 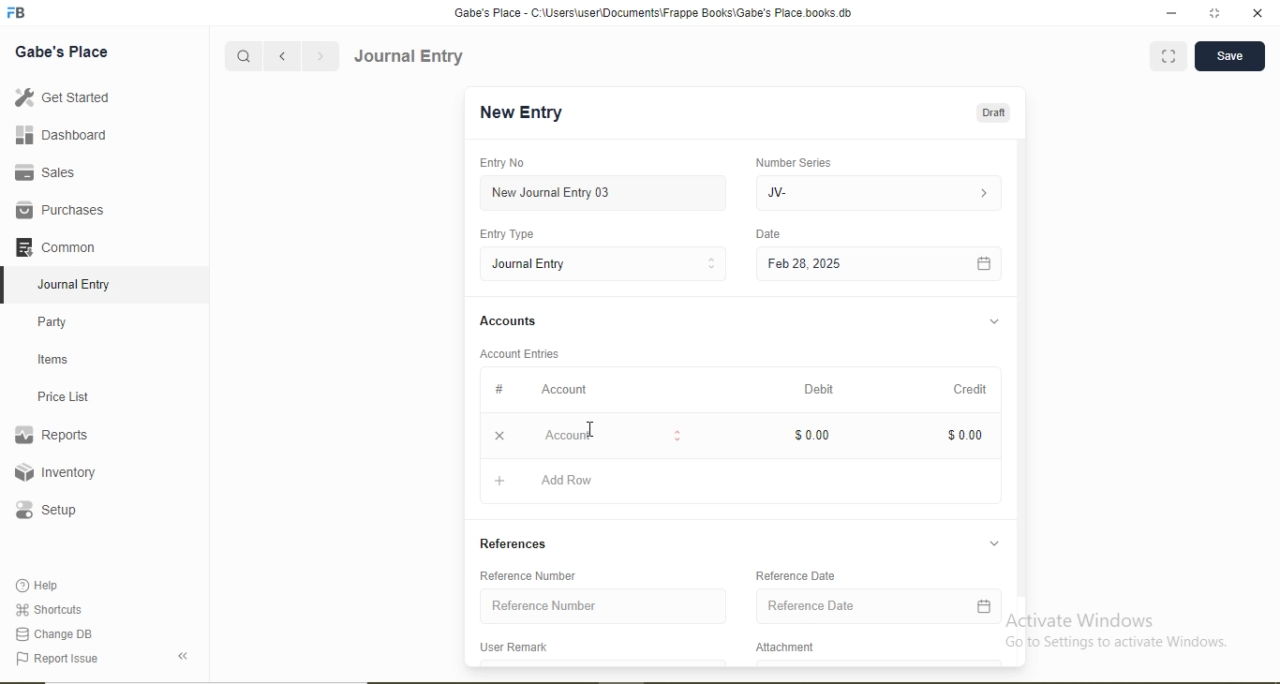 What do you see at coordinates (678, 437) in the screenshot?
I see `Stepper Buttons` at bounding box center [678, 437].